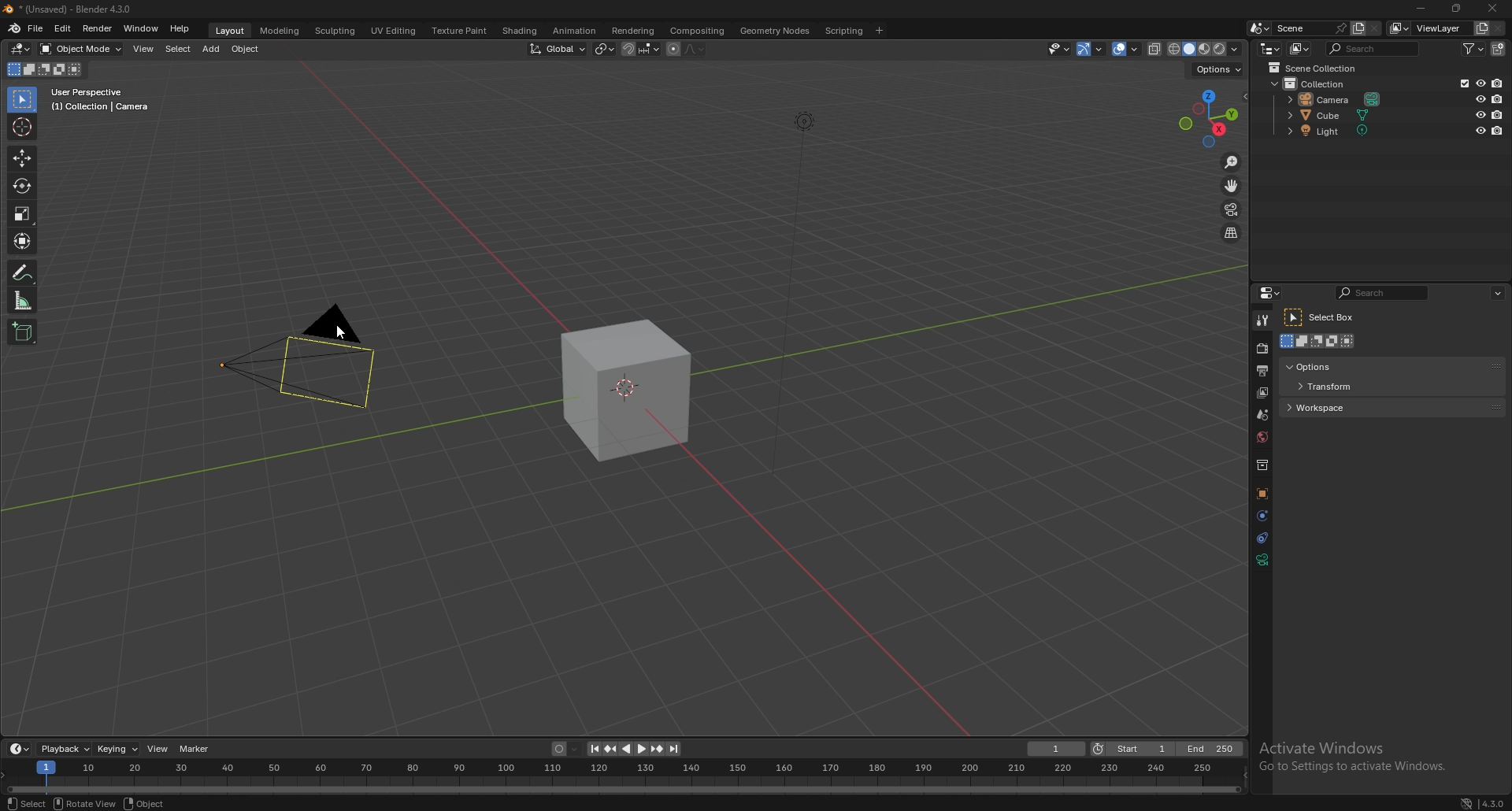  What do you see at coordinates (1494, 804) in the screenshot?
I see `version` at bounding box center [1494, 804].